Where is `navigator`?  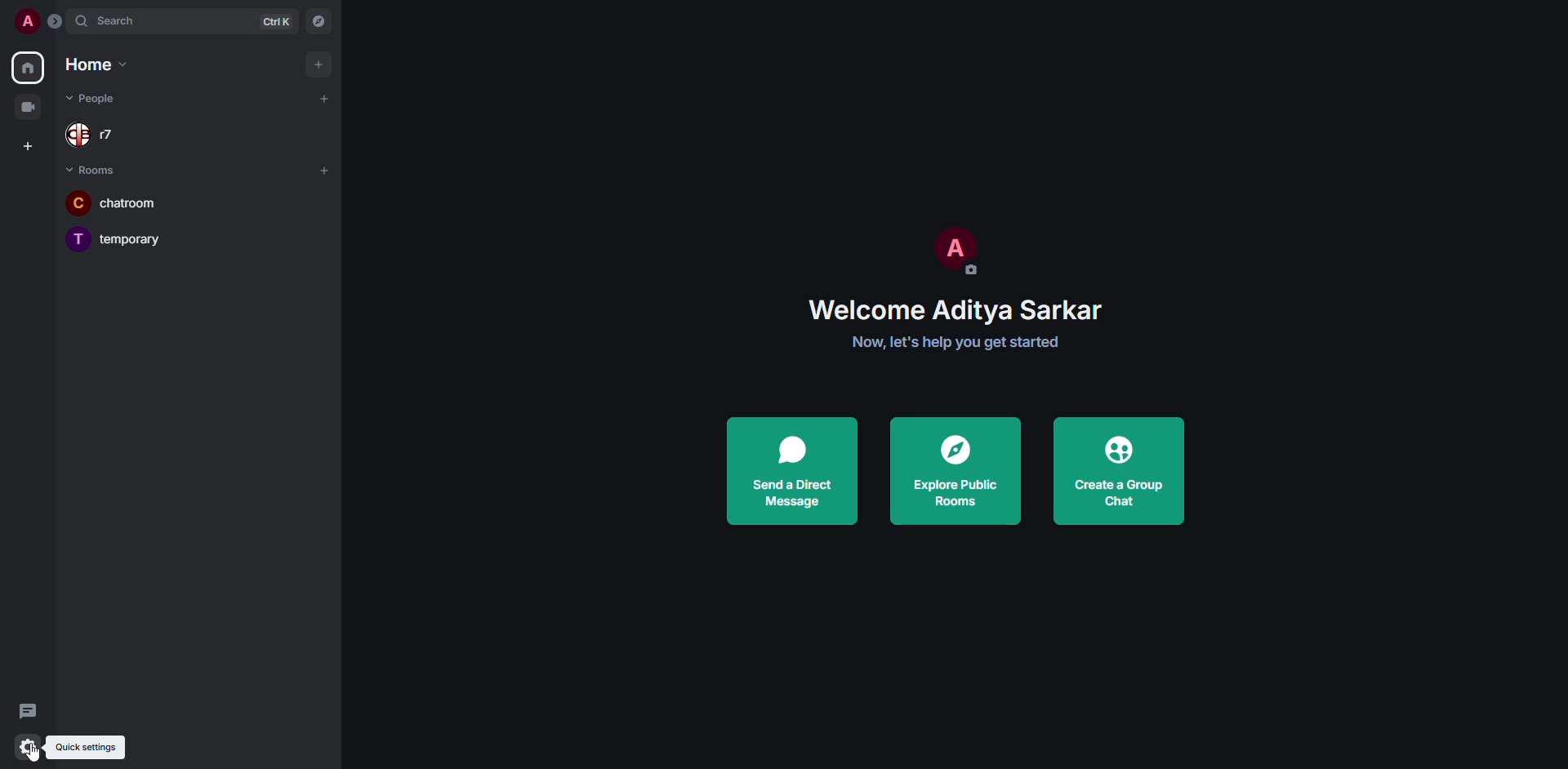 navigator is located at coordinates (320, 20).